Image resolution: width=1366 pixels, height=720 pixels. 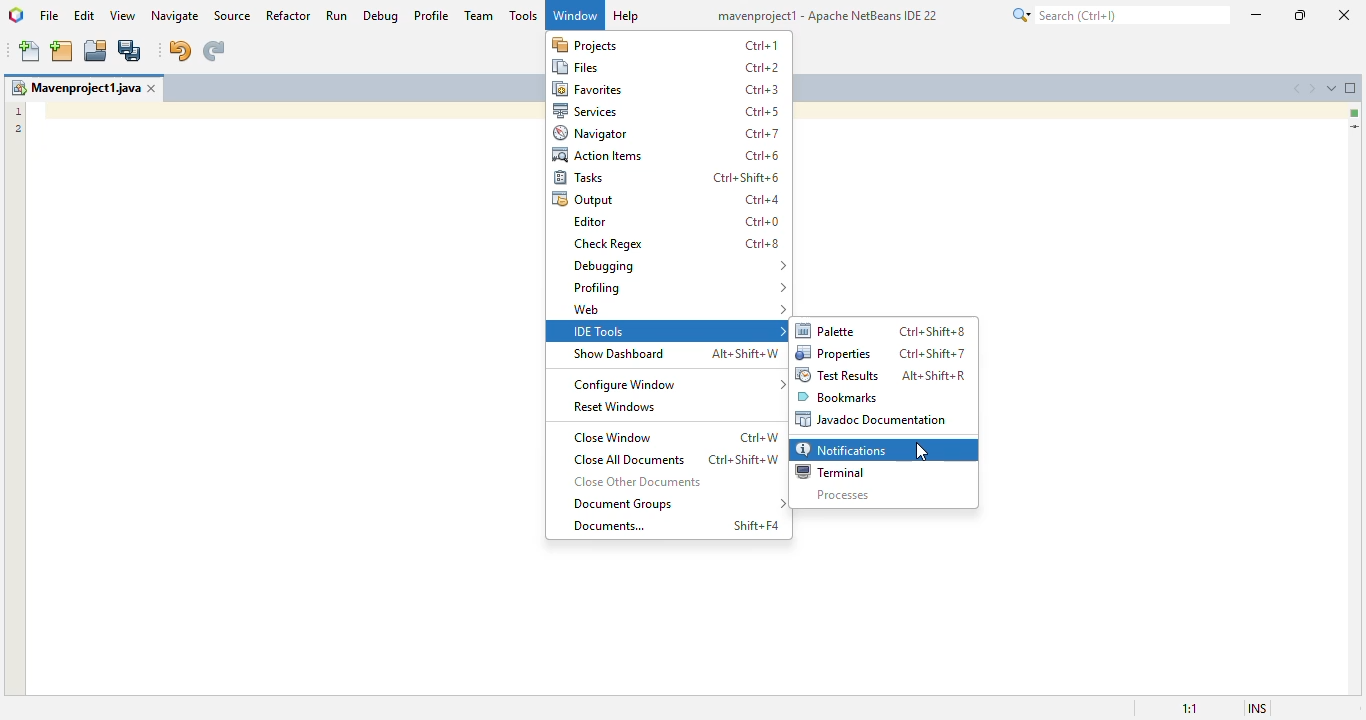 I want to click on projects, so click(x=586, y=44).